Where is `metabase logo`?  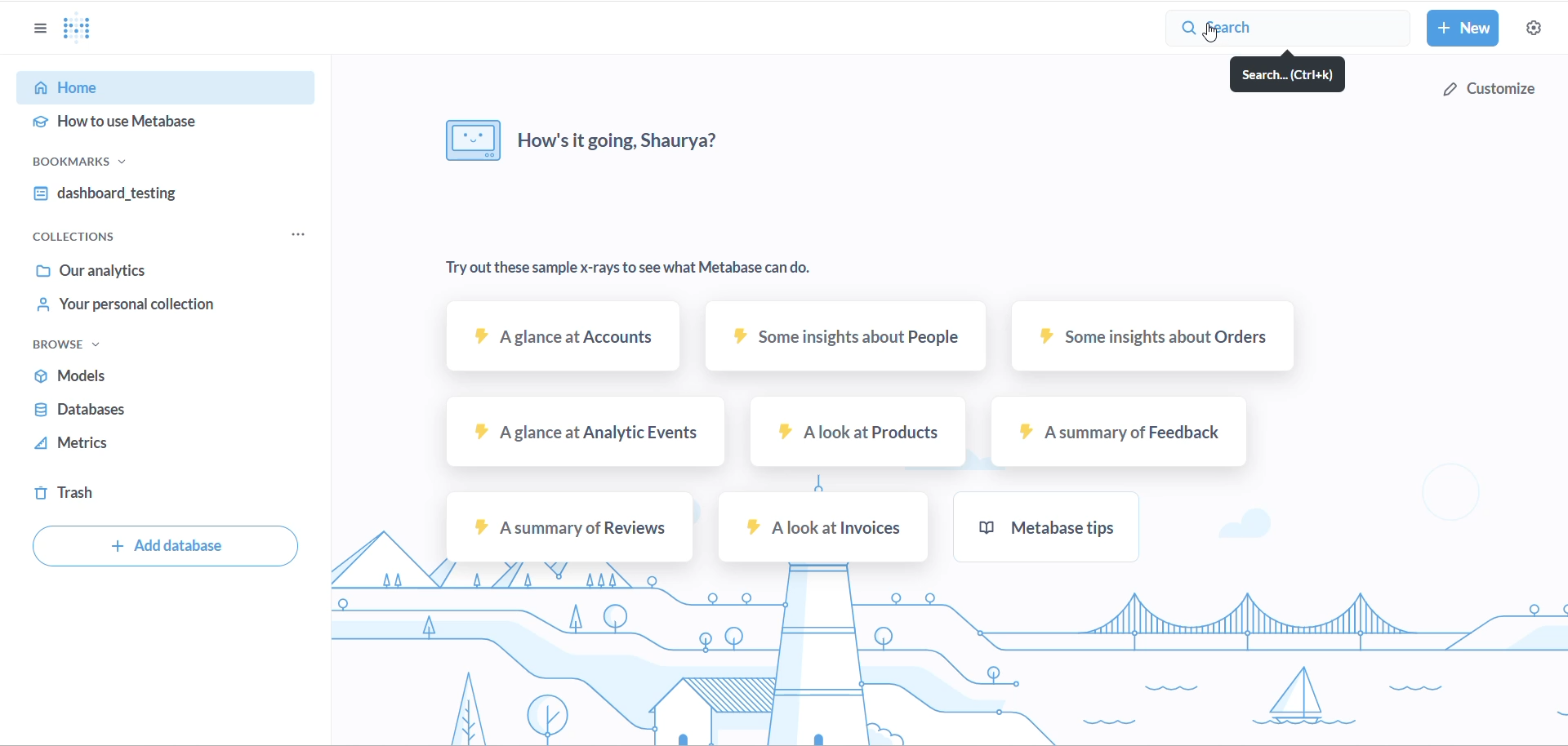 metabase logo is located at coordinates (85, 29).